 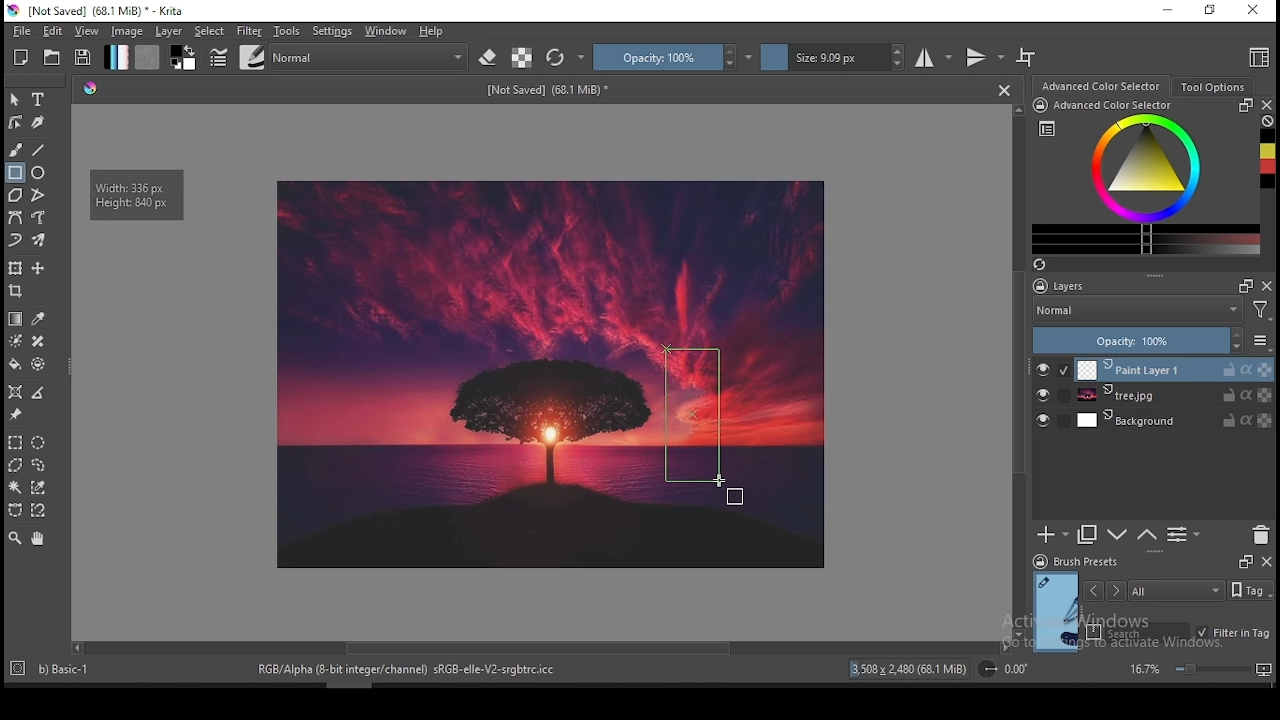 I want to click on selectshapes tool, so click(x=15, y=100).